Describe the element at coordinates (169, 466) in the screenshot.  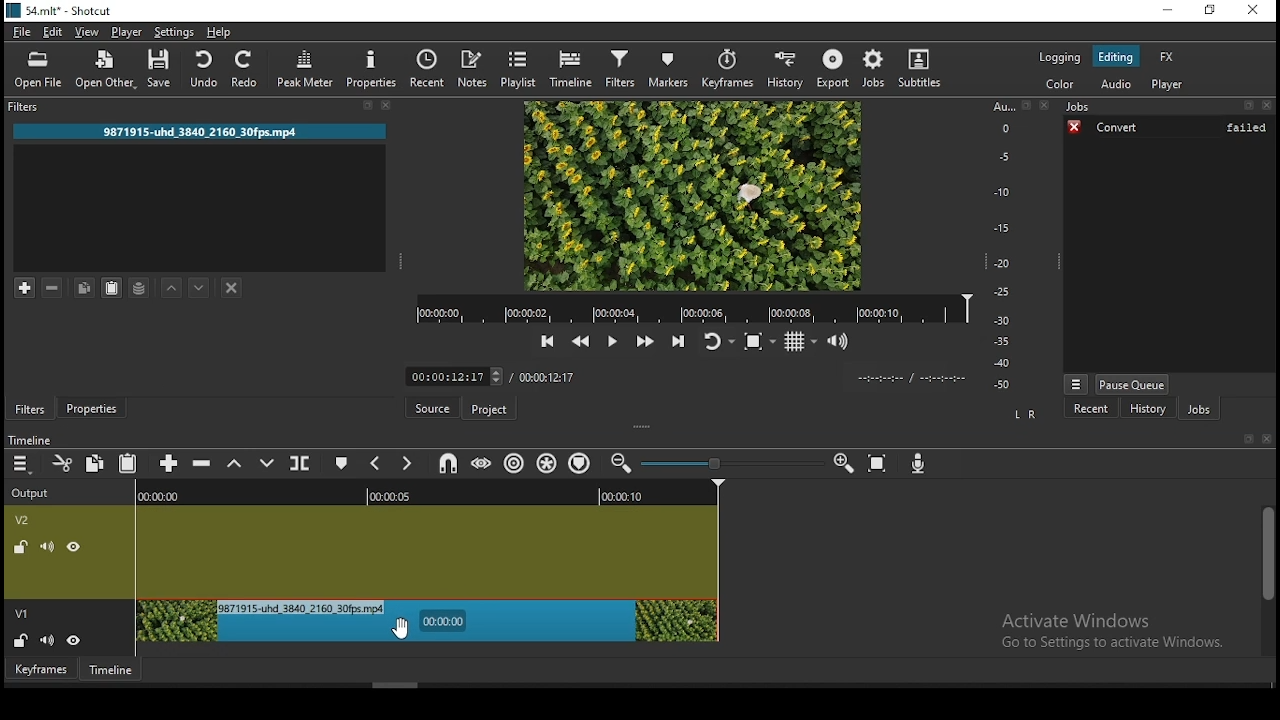
I see `append` at that location.